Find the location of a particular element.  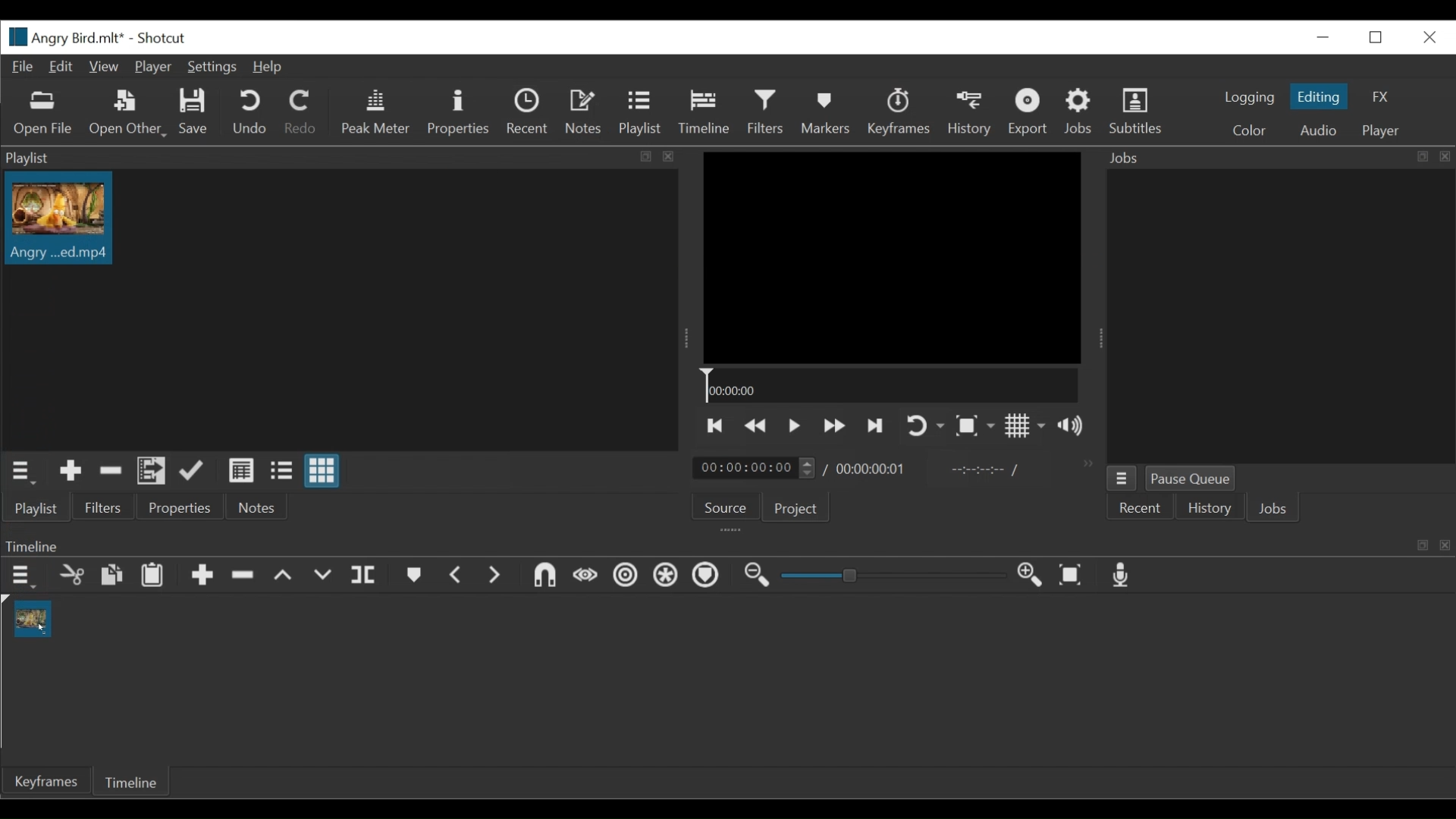

Timeline is located at coordinates (704, 111).